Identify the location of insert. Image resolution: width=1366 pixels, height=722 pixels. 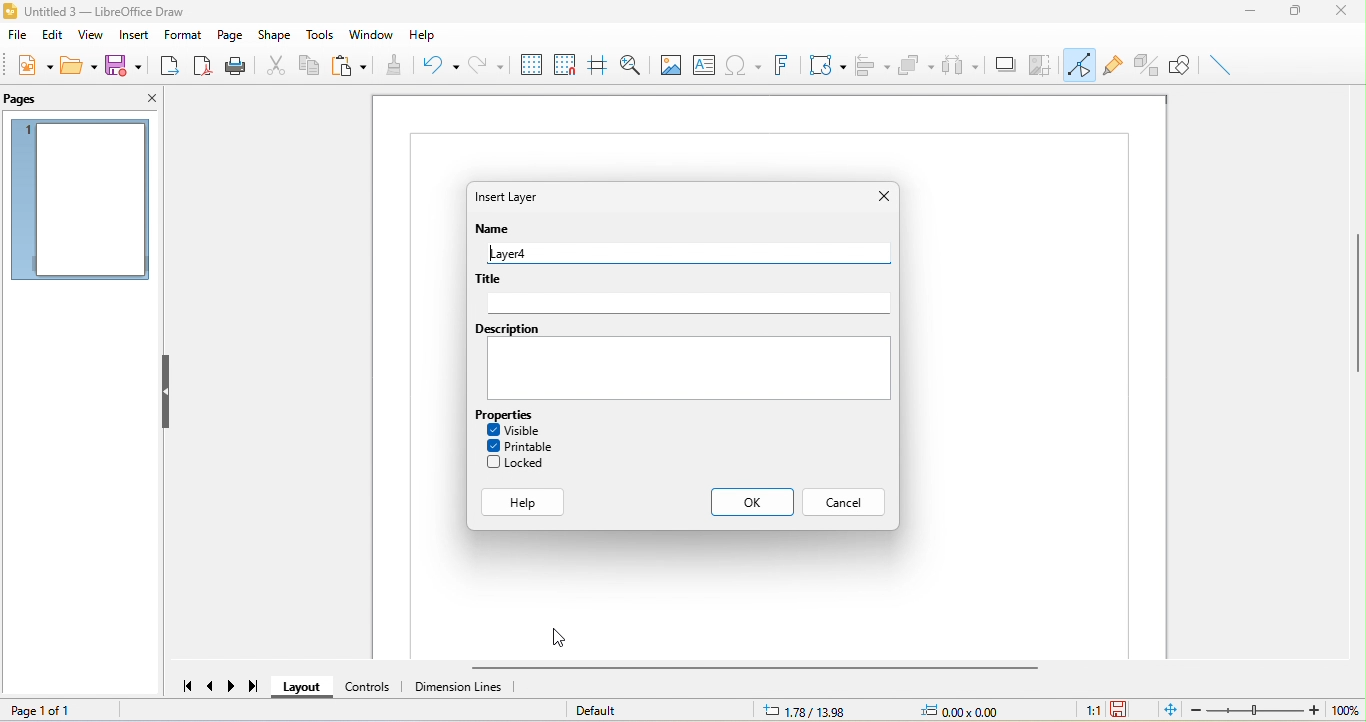
(131, 36).